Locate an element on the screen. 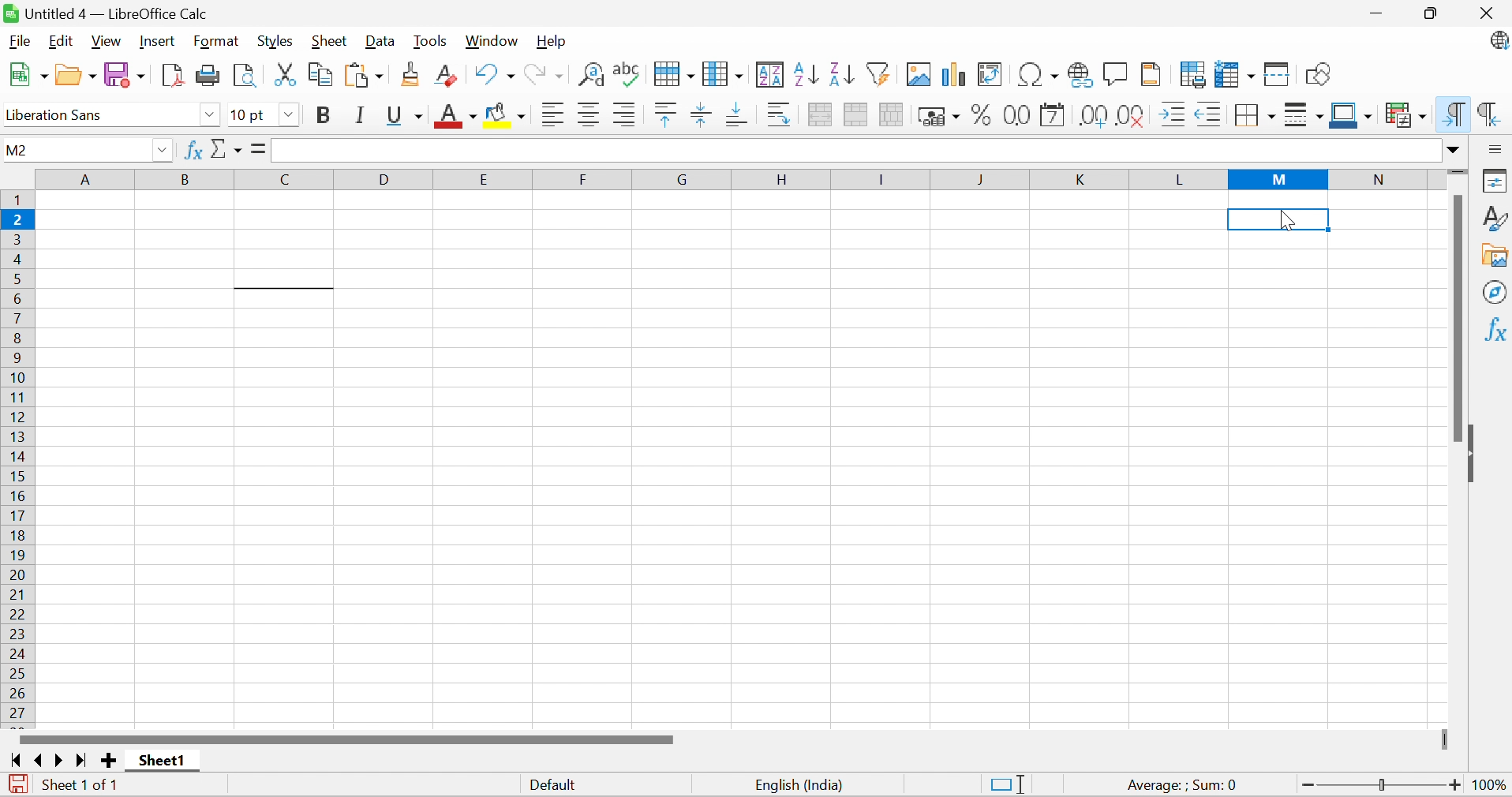 The image size is (1512, 797). Navigator is located at coordinates (1496, 291).